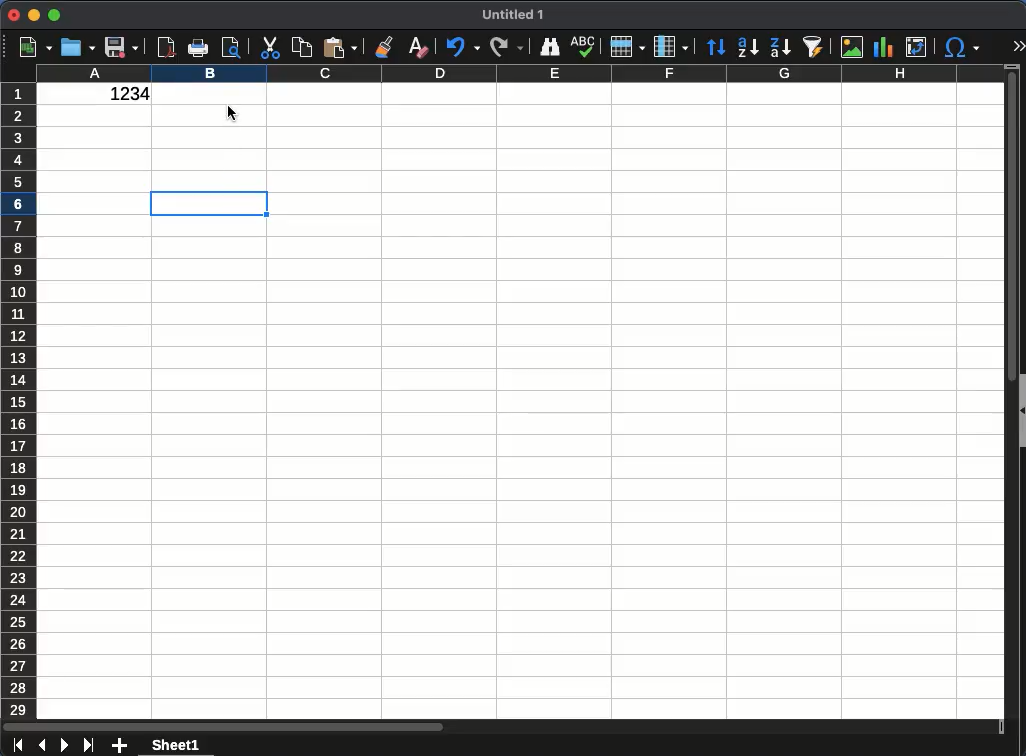  Describe the element at coordinates (417, 45) in the screenshot. I see `clear formatting` at that location.